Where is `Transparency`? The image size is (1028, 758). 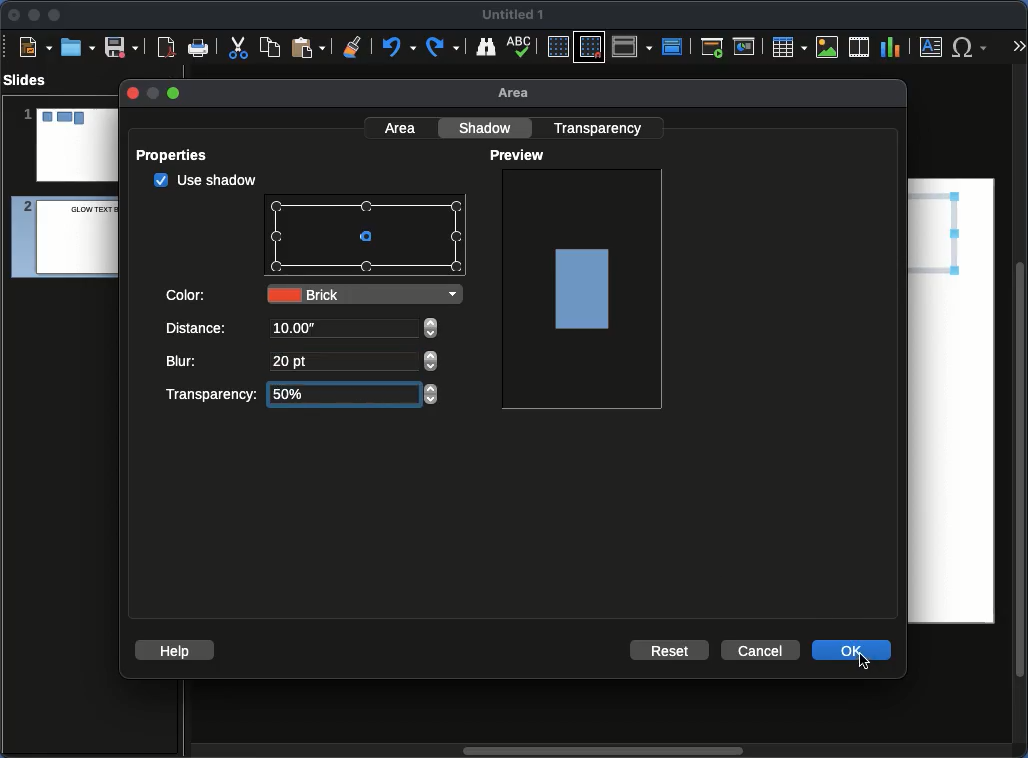 Transparency is located at coordinates (601, 127).